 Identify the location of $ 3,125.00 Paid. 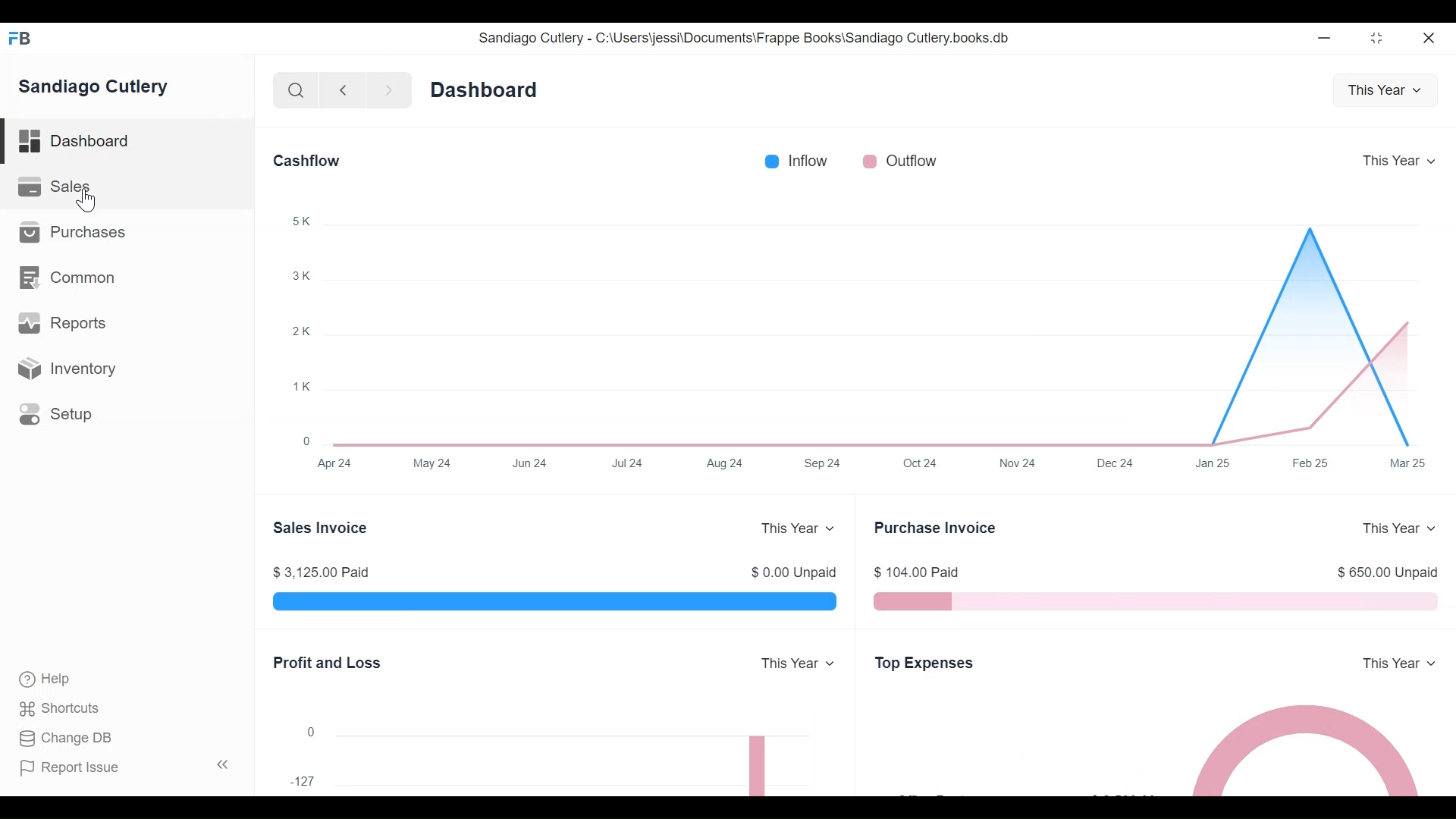
(320, 574).